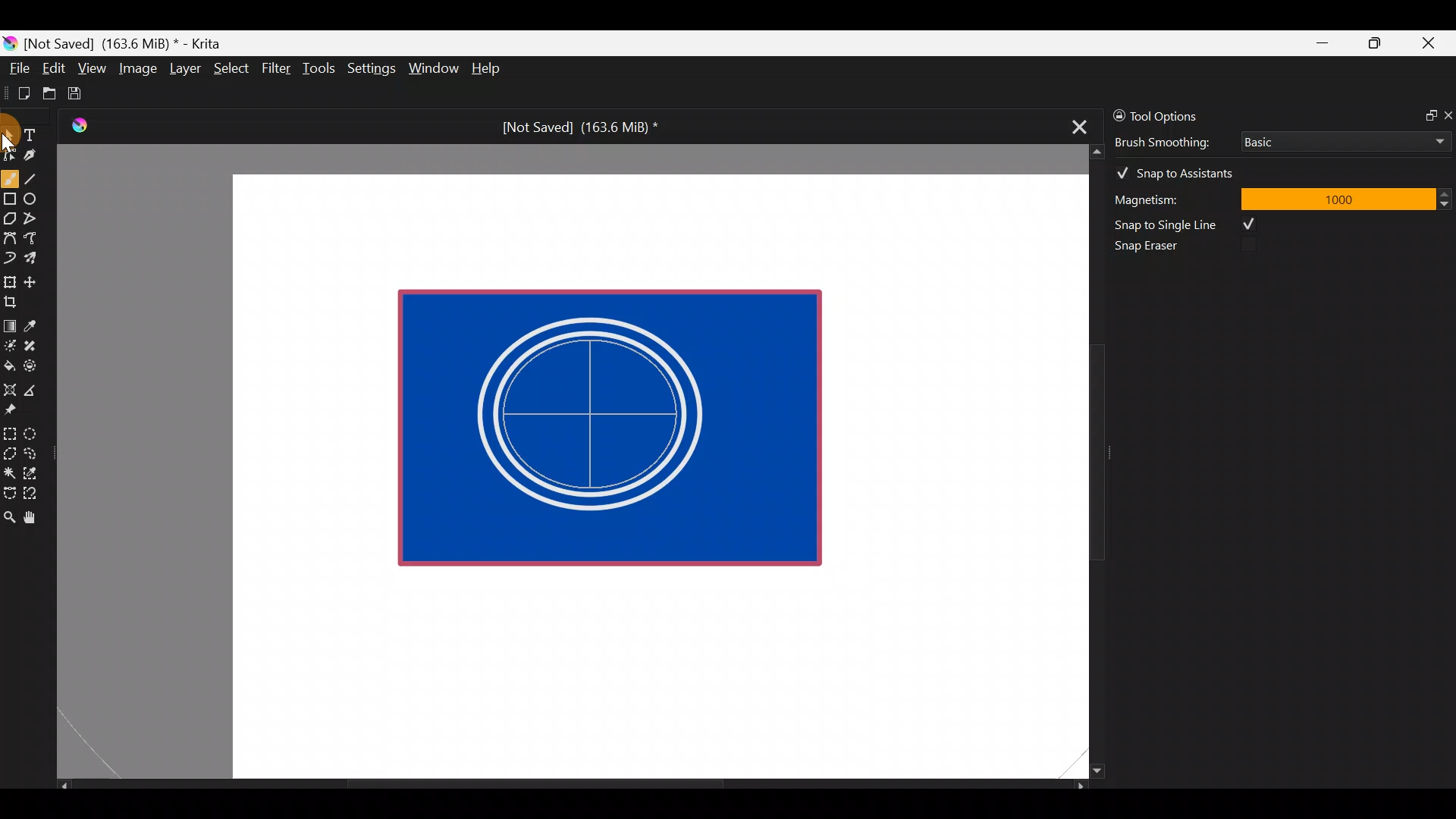  What do you see at coordinates (1447, 193) in the screenshot?
I see `Increase` at bounding box center [1447, 193].